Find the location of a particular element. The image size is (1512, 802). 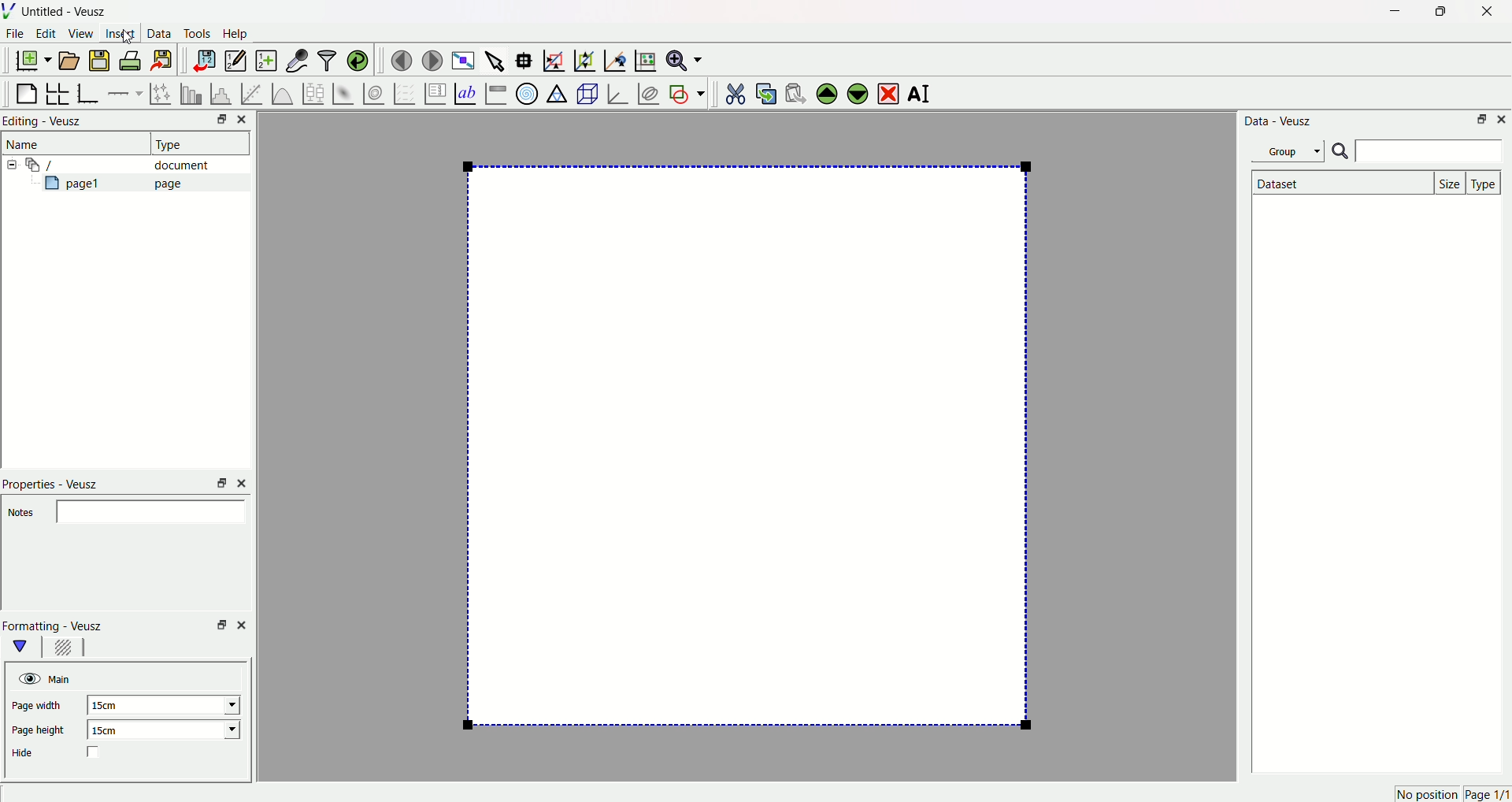

move to next page is located at coordinates (433, 58).